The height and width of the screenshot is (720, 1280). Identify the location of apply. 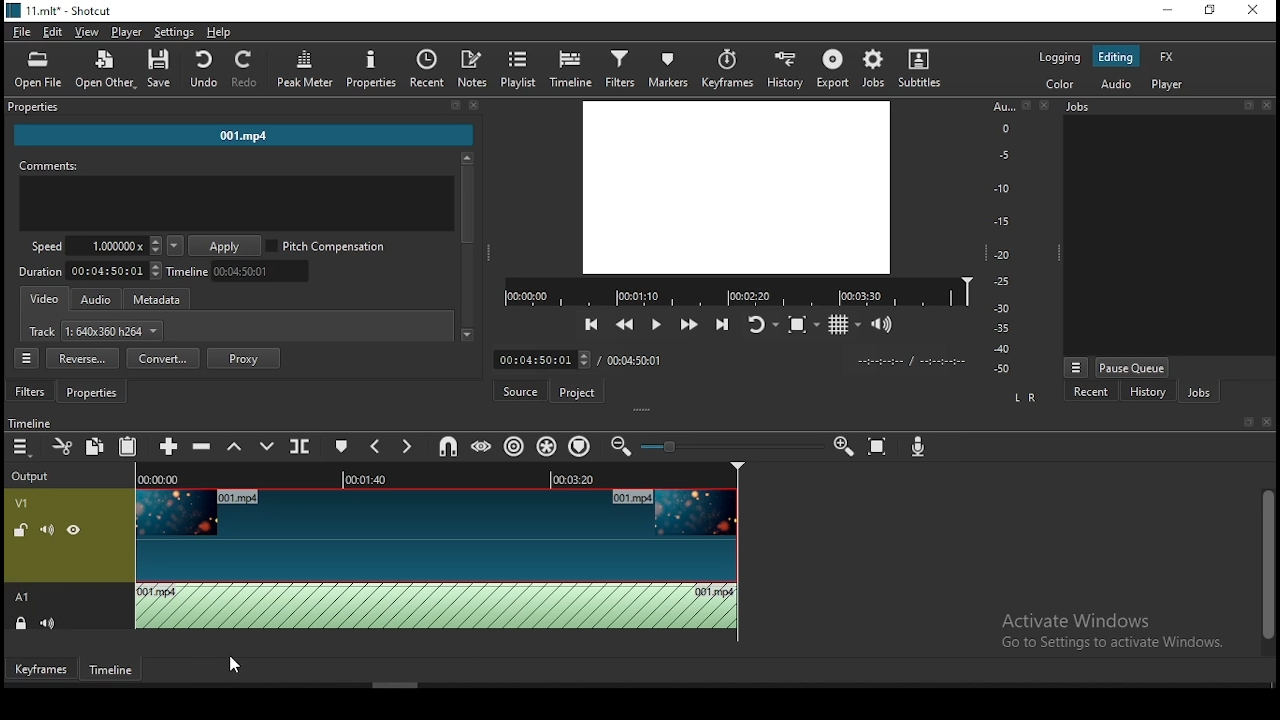
(225, 246).